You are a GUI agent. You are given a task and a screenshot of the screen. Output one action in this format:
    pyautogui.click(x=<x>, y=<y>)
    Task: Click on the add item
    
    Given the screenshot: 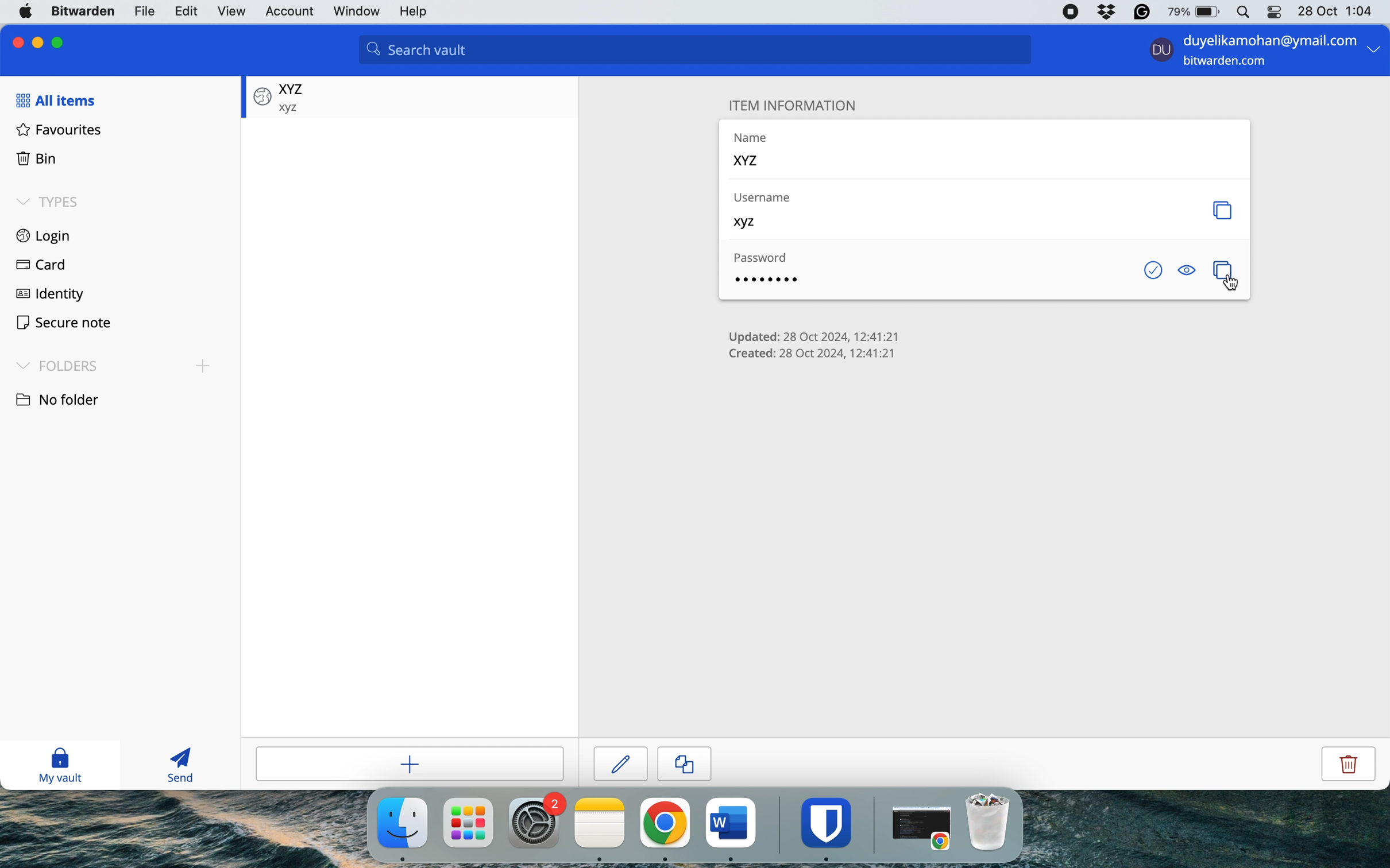 What is the action you would take?
    pyautogui.click(x=419, y=765)
    